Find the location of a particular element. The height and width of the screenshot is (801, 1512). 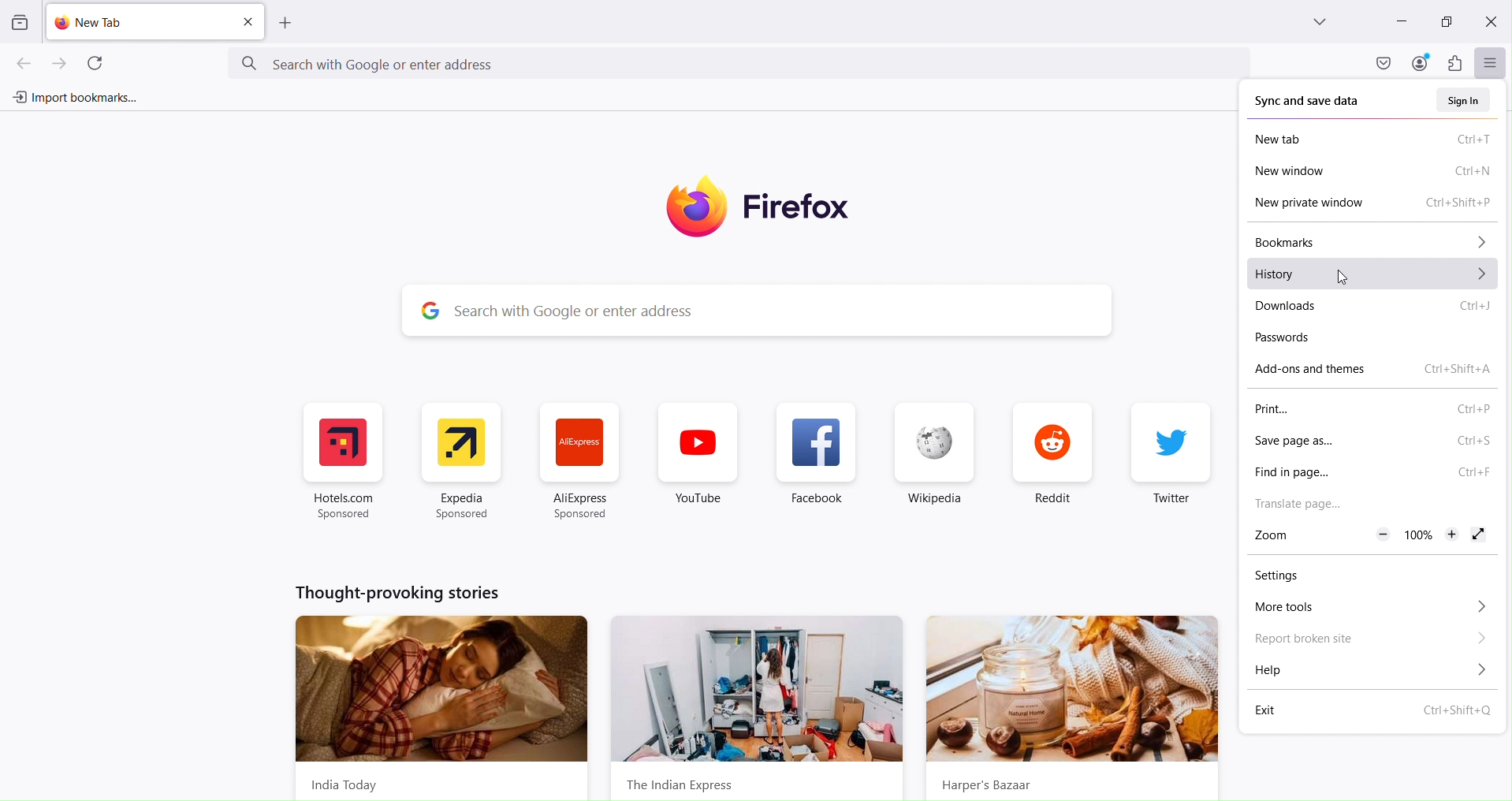

Translate page is located at coordinates (1368, 504).